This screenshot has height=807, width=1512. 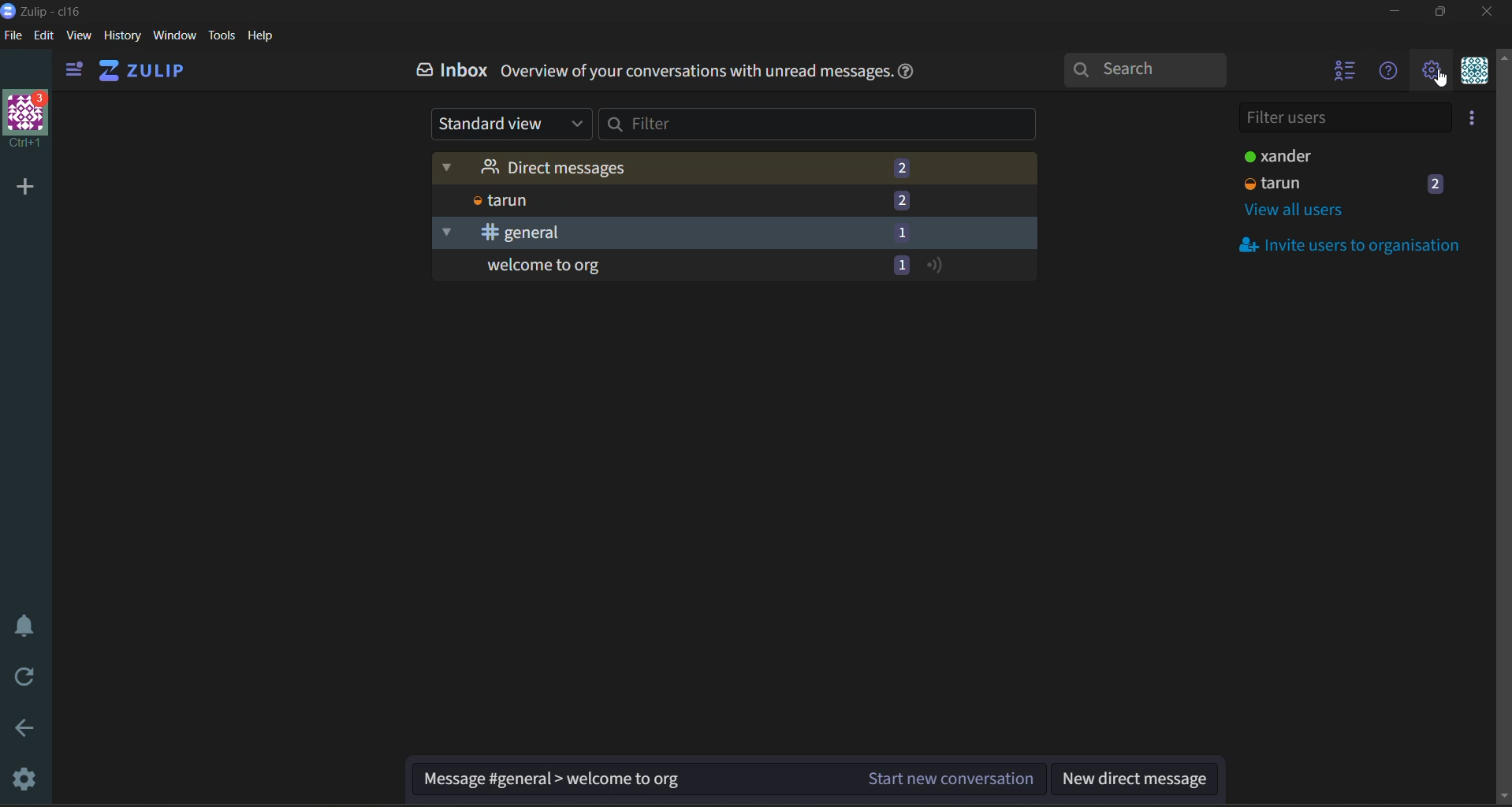 What do you see at coordinates (655, 168) in the screenshot?
I see `direct messages` at bounding box center [655, 168].